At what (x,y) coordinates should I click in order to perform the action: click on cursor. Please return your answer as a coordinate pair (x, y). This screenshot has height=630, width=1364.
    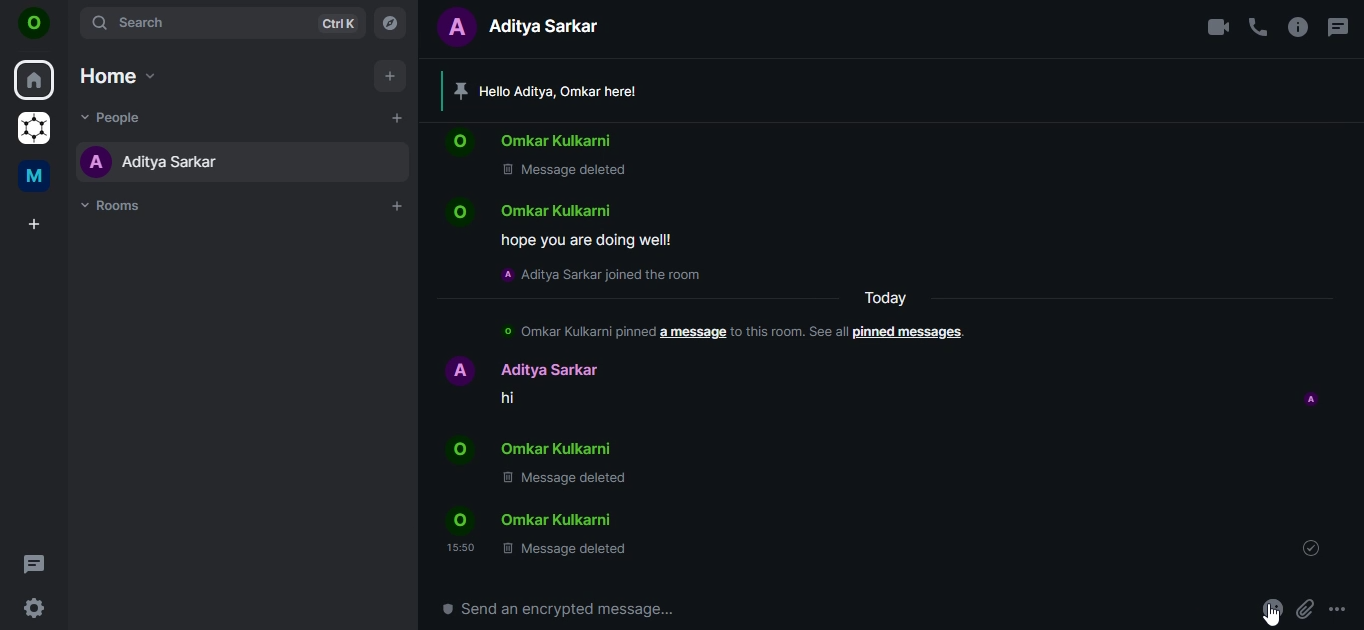
    Looking at the image, I should click on (1271, 615).